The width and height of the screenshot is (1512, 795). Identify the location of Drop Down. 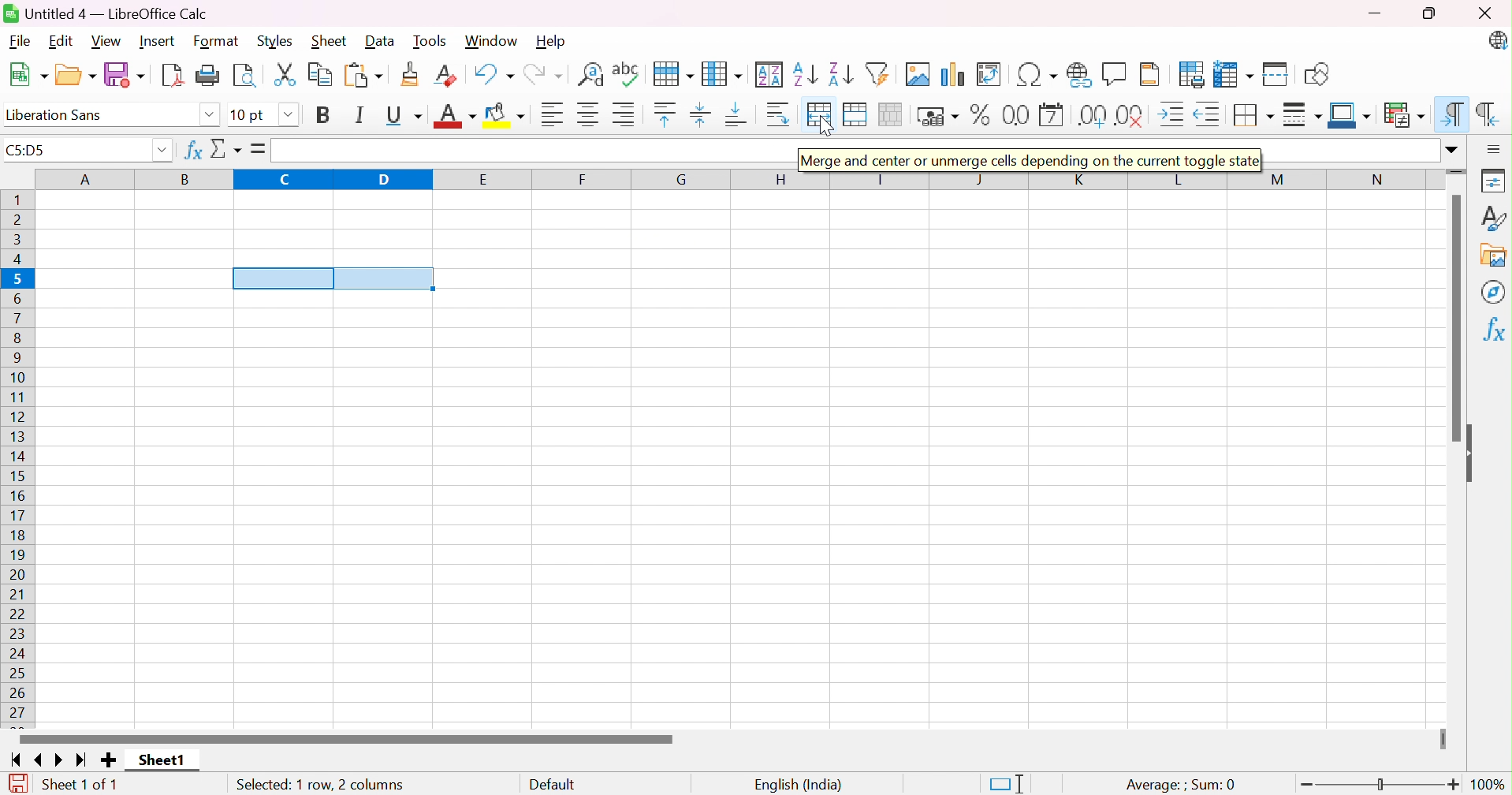
(208, 114).